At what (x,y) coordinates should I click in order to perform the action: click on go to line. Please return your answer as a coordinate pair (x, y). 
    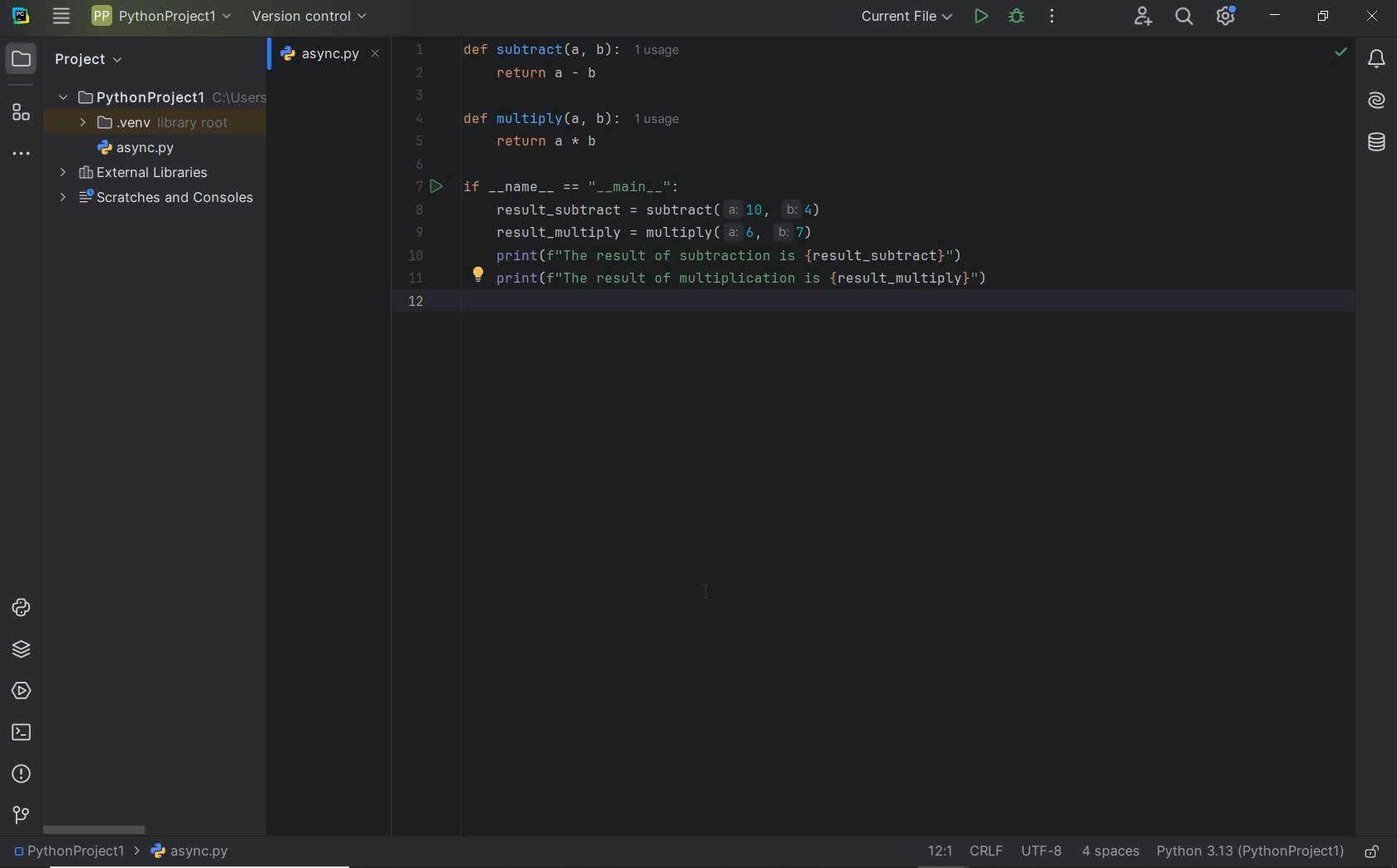
    Looking at the image, I should click on (937, 852).